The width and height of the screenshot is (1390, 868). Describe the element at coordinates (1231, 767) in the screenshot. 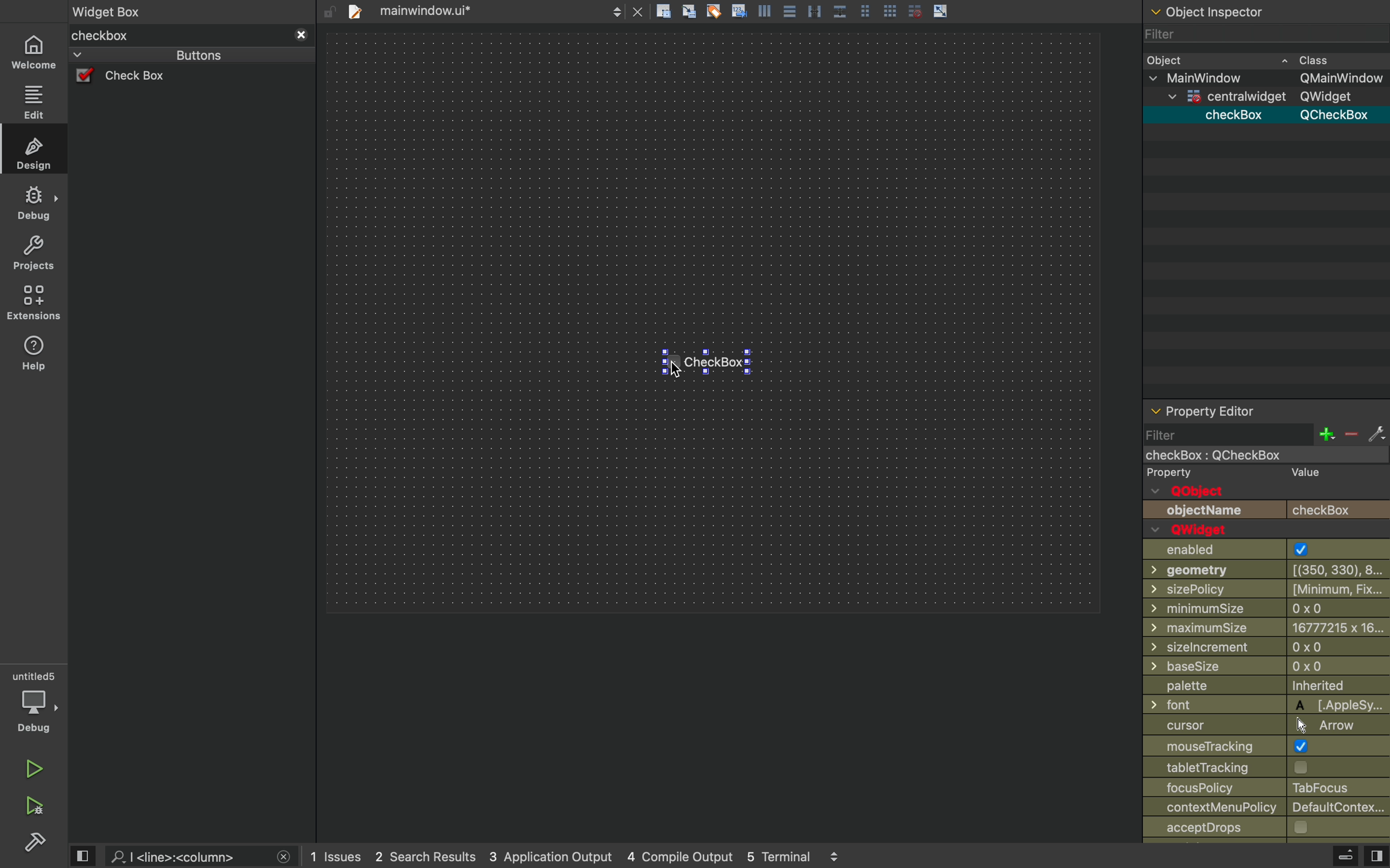

I see `table tracking` at that location.